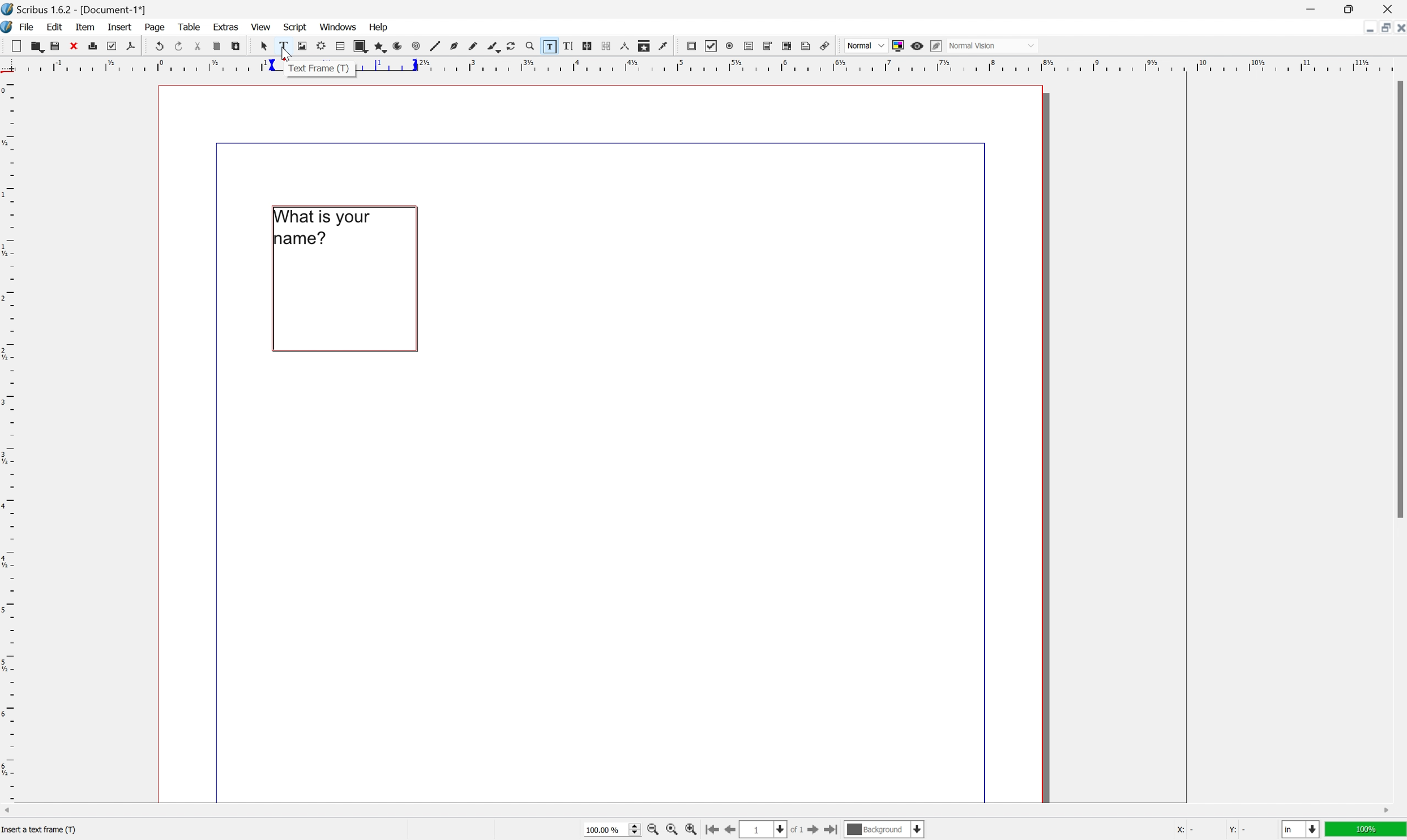 This screenshot has width=1407, height=840. I want to click on text annotation, so click(806, 46).